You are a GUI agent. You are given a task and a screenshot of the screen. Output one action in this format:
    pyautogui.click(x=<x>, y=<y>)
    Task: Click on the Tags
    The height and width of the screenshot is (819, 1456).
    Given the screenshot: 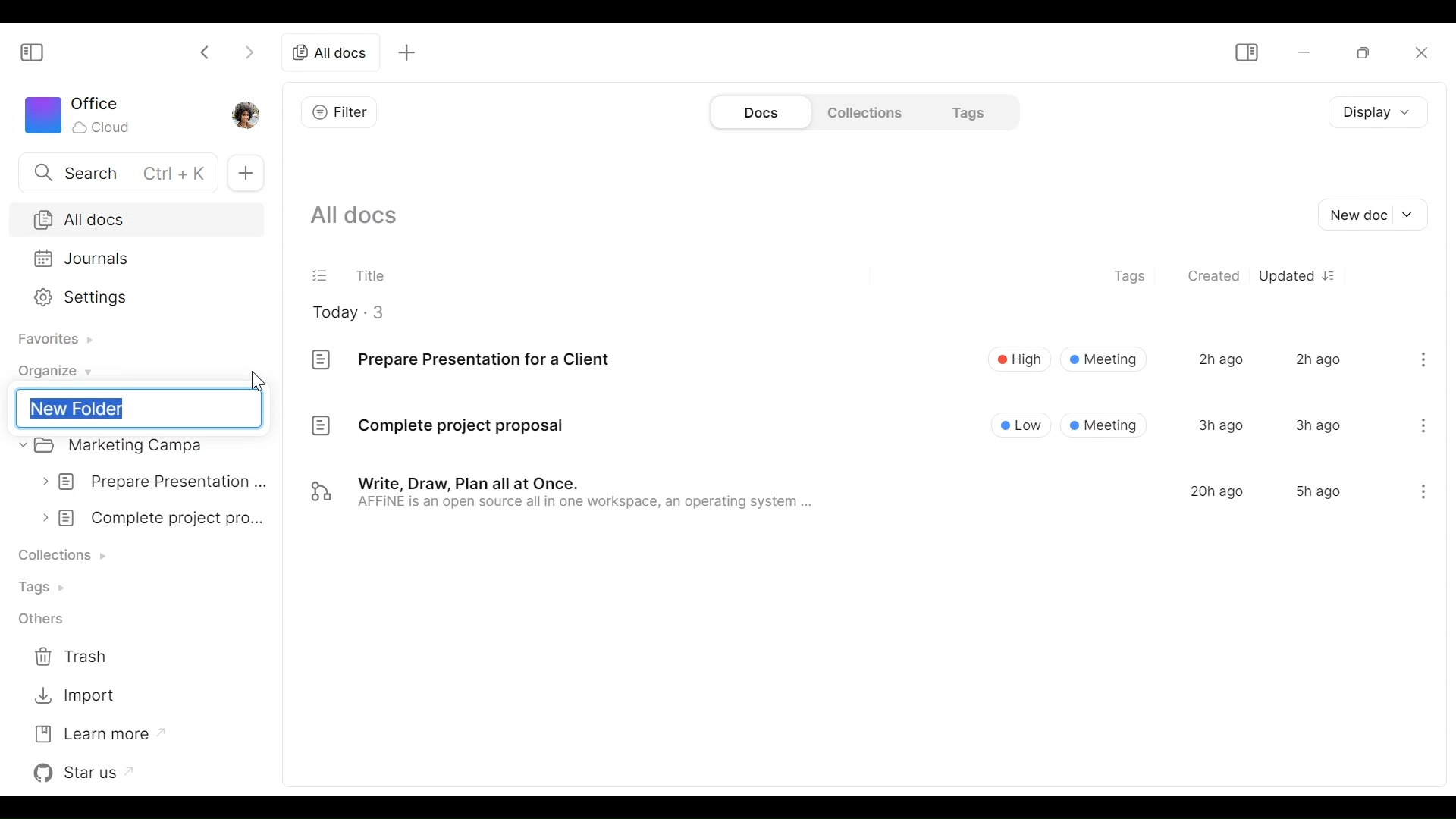 What is the action you would take?
    pyautogui.click(x=48, y=587)
    